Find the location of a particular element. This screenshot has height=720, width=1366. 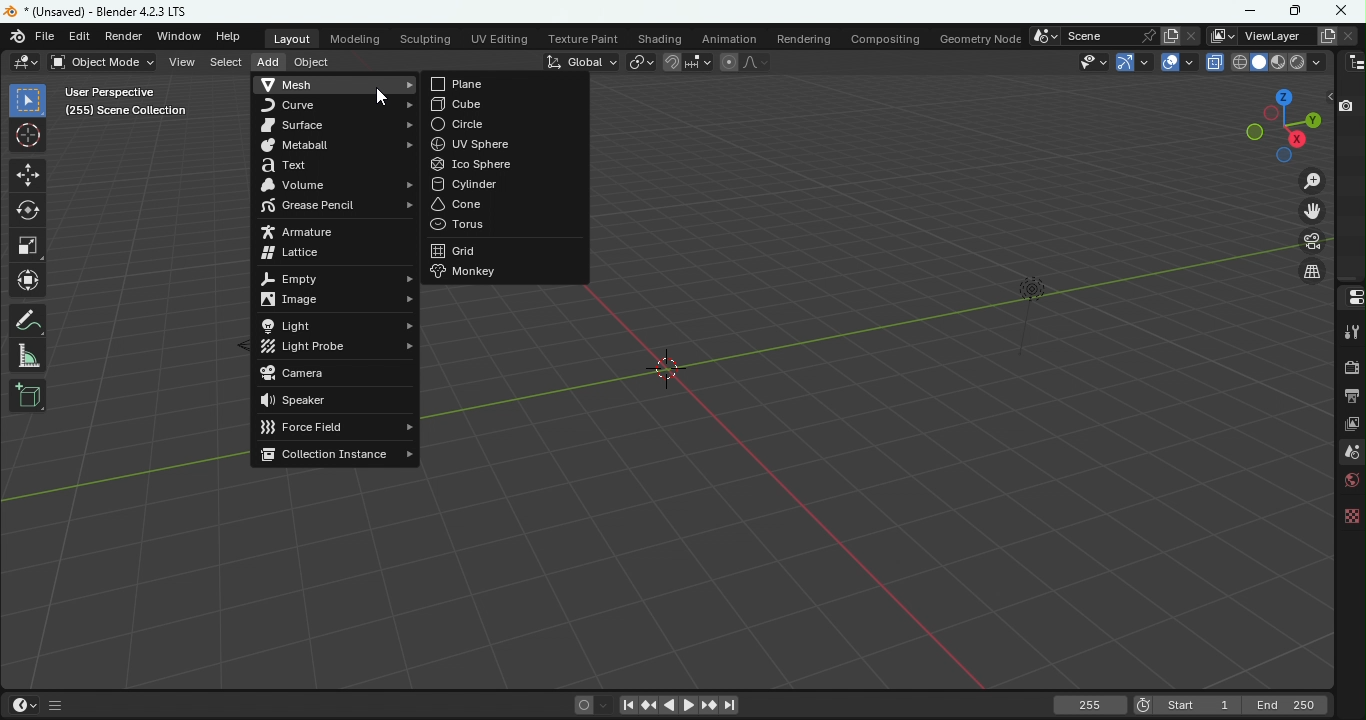

The active workspace view layer showing in the window is located at coordinates (1220, 35).